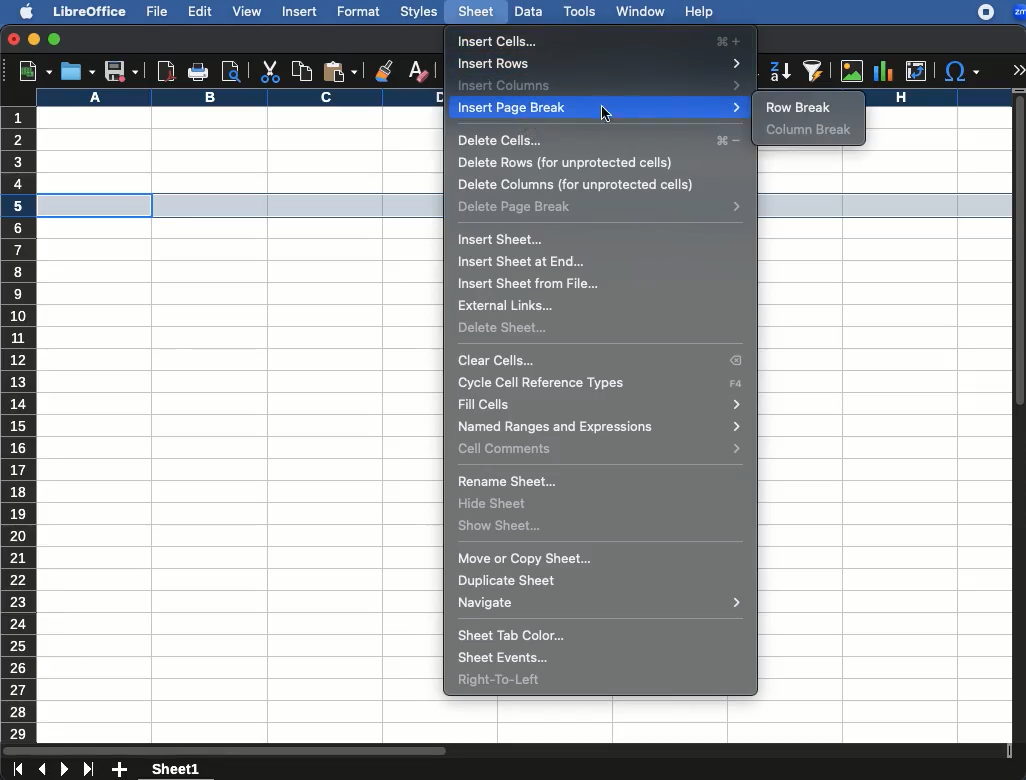 The width and height of the screenshot is (1026, 780). What do you see at coordinates (601, 450) in the screenshot?
I see `cell commands` at bounding box center [601, 450].